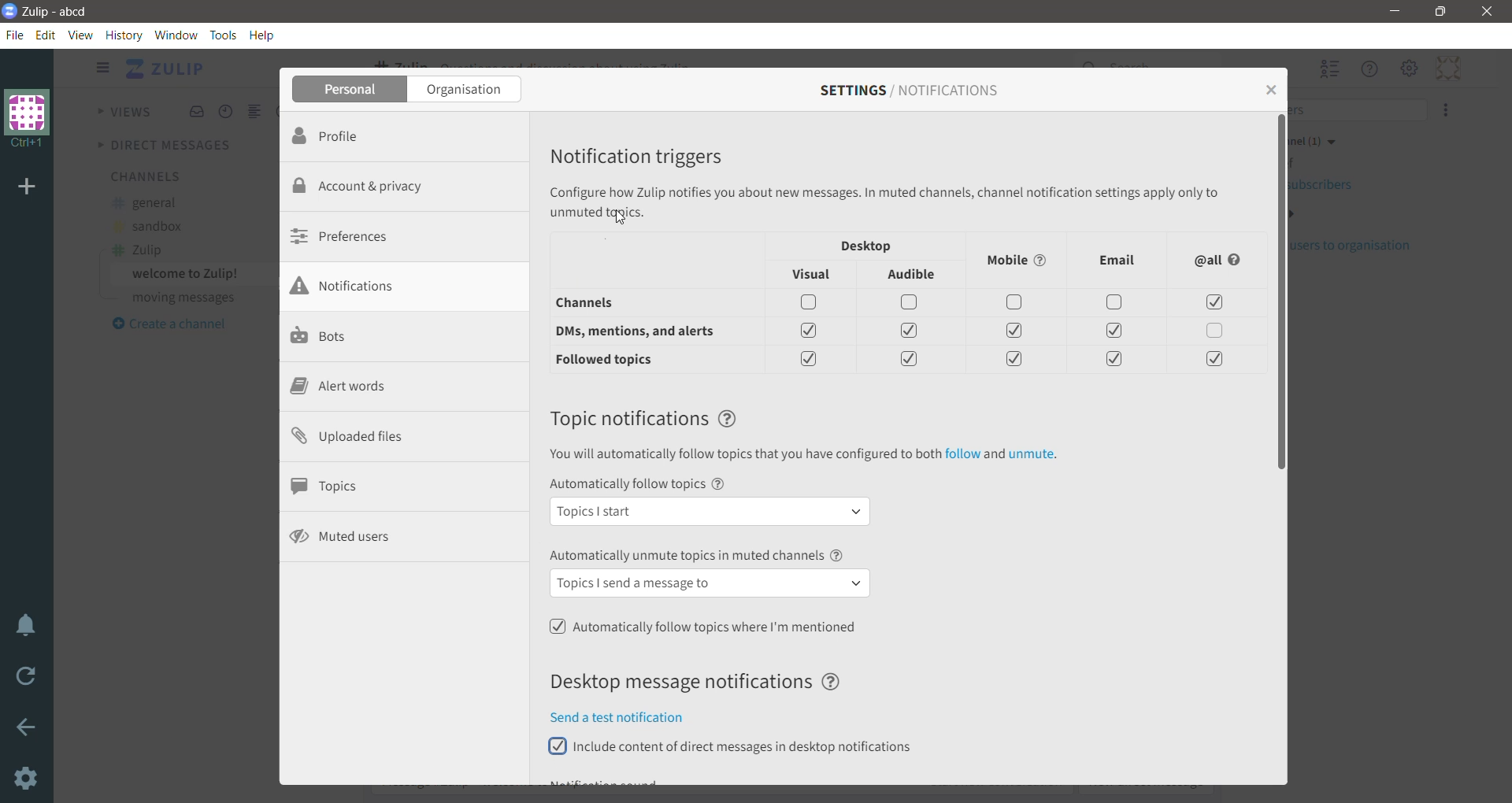 This screenshot has width=1512, height=803. Describe the element at coordinates (643, 331) in the screenshot. I see `DMs, mentions, and alerts` at that location.